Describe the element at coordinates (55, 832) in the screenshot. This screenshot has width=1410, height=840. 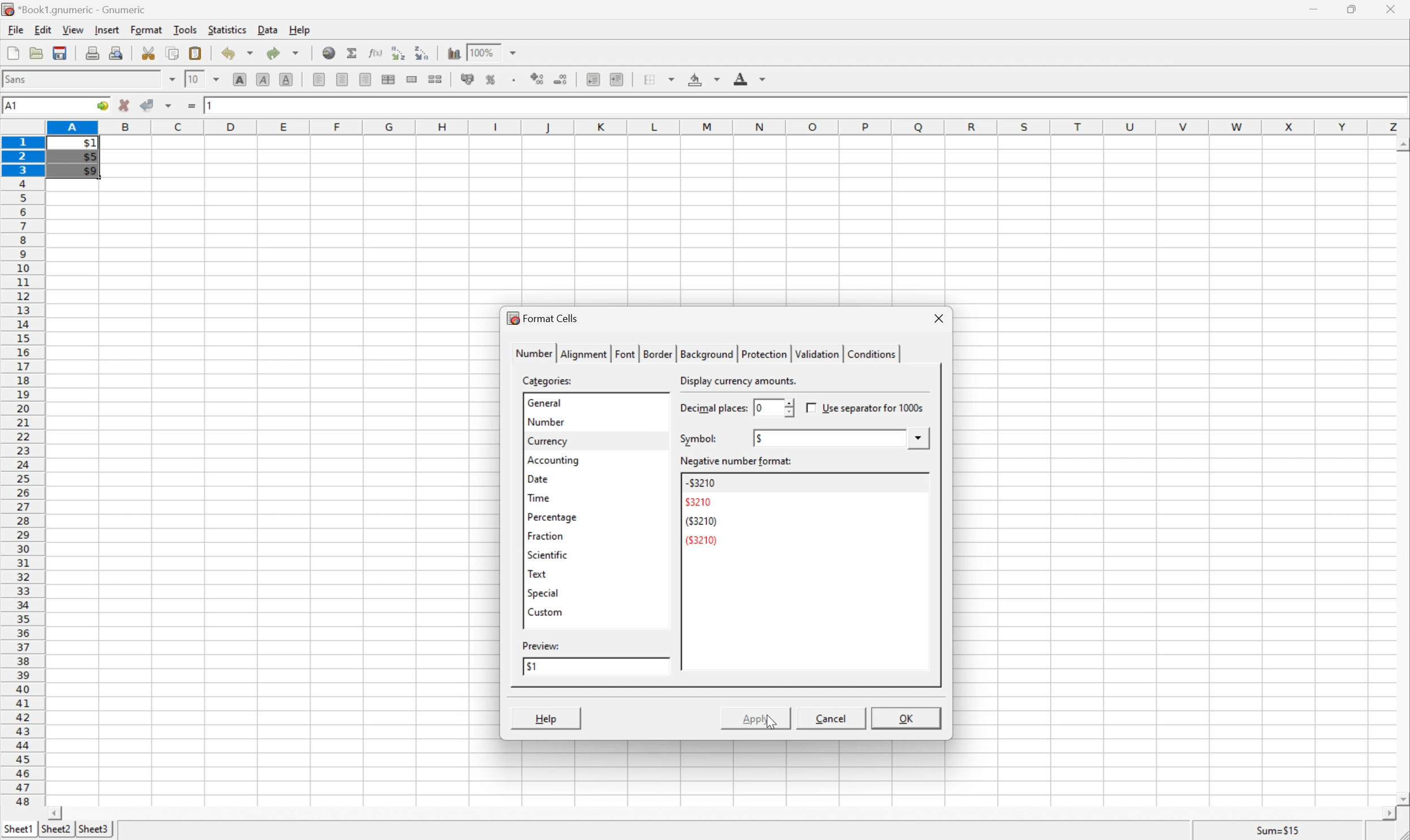
I see `sheet2` at that location.